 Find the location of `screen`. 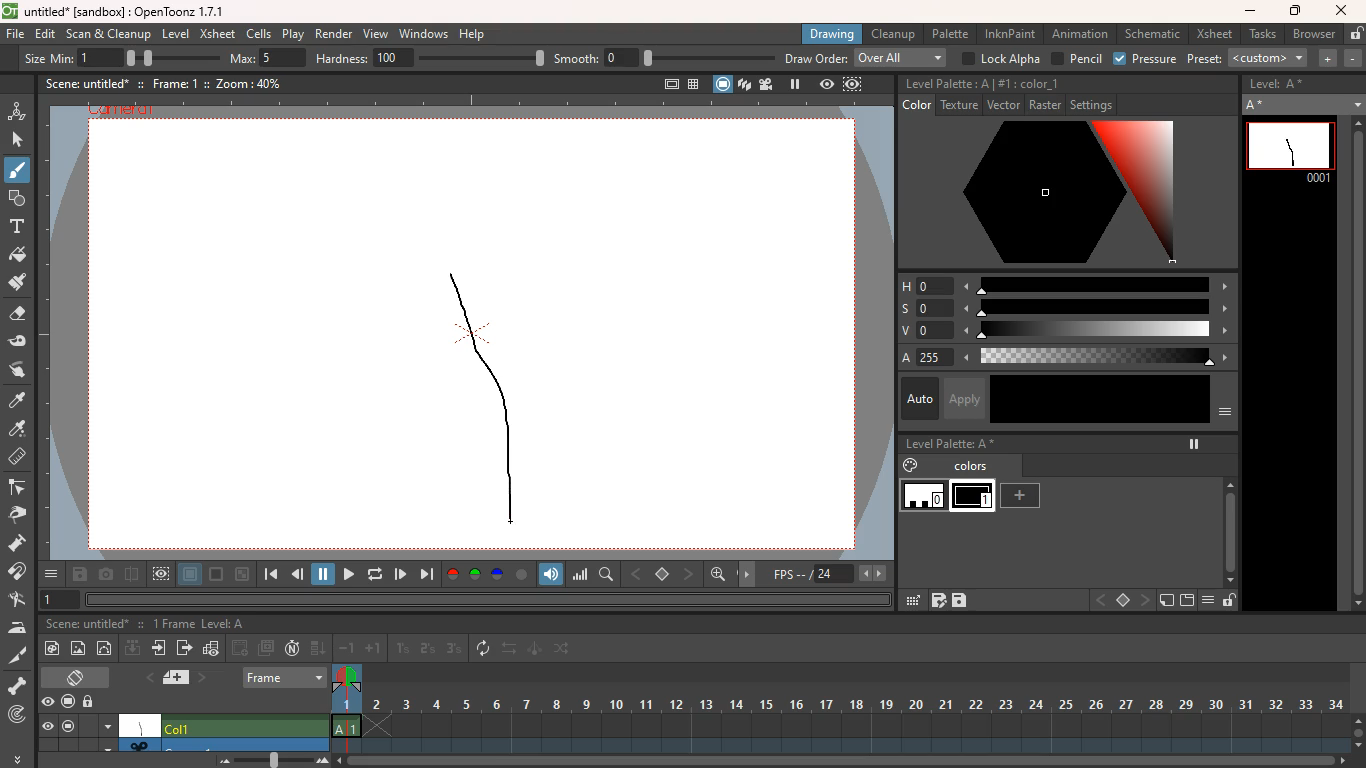

screen is located at coordinates (721, 83).